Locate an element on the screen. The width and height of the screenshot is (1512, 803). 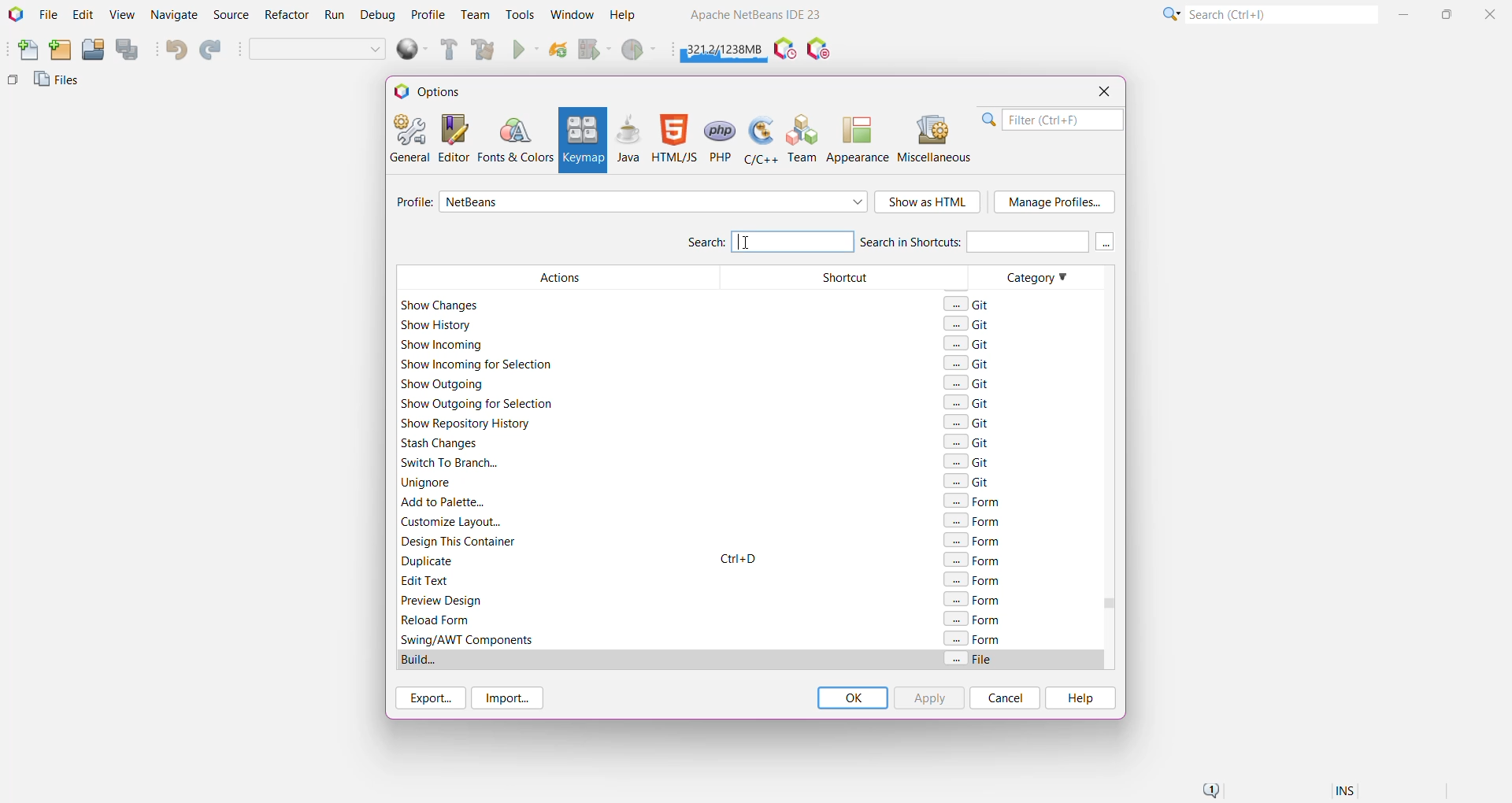
Profile is located at coordinates (412, 204).